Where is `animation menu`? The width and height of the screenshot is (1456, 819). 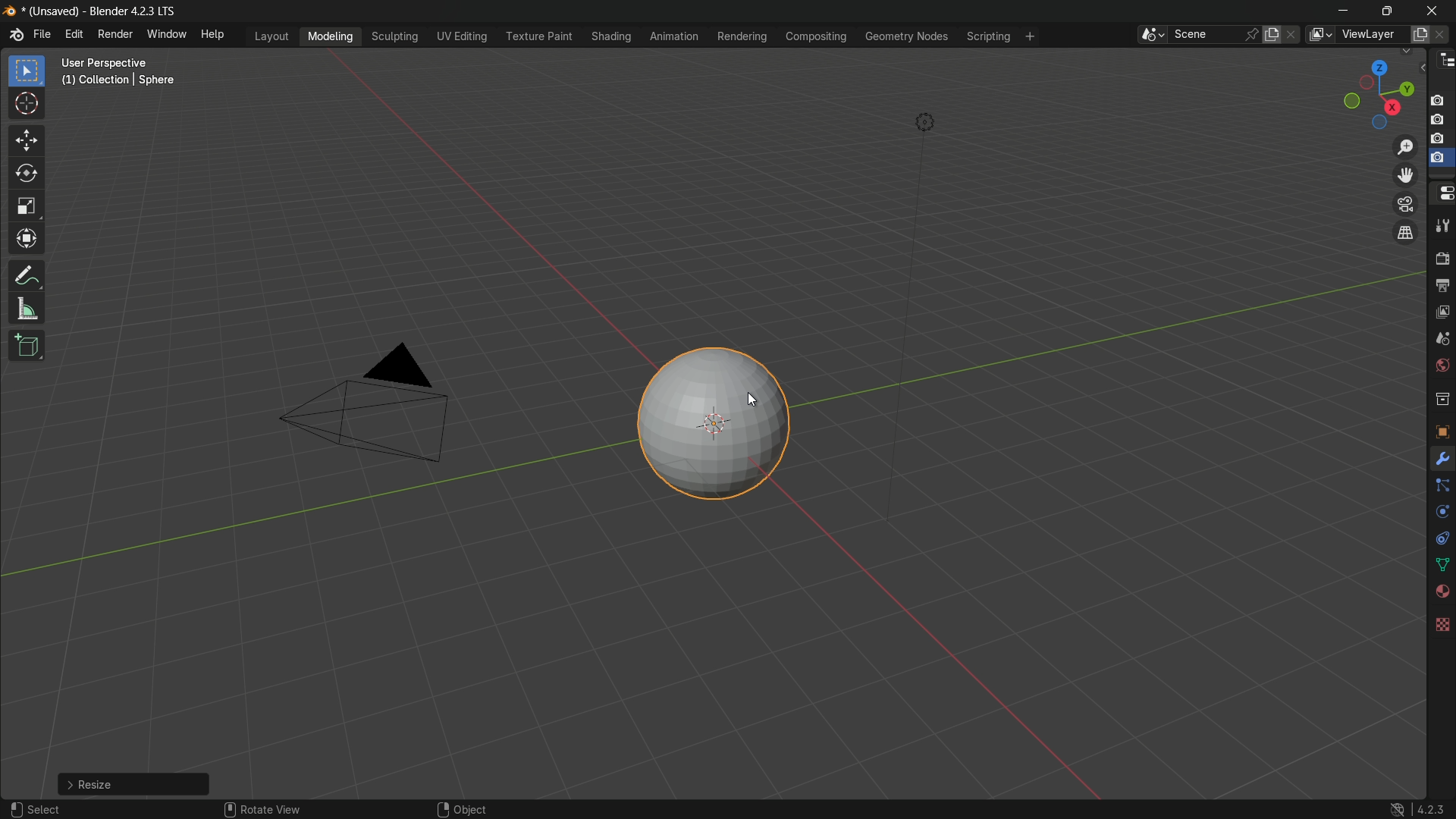
animation menu is located at coordinates (672, 36).